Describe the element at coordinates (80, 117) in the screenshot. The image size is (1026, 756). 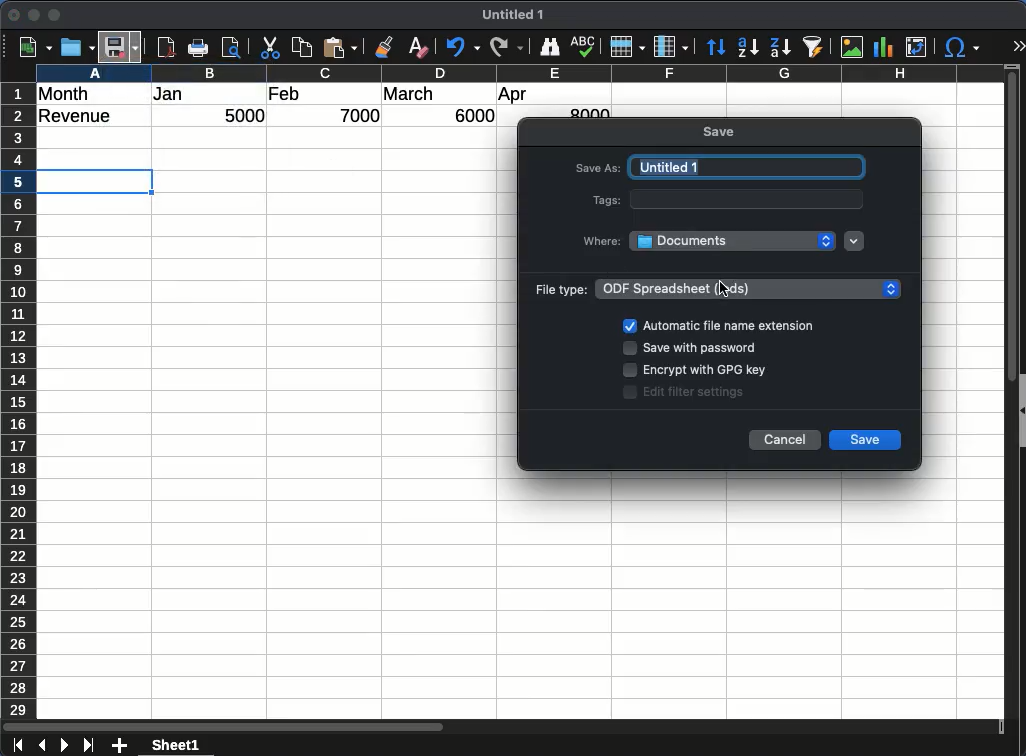
I see `revenue` at that location.